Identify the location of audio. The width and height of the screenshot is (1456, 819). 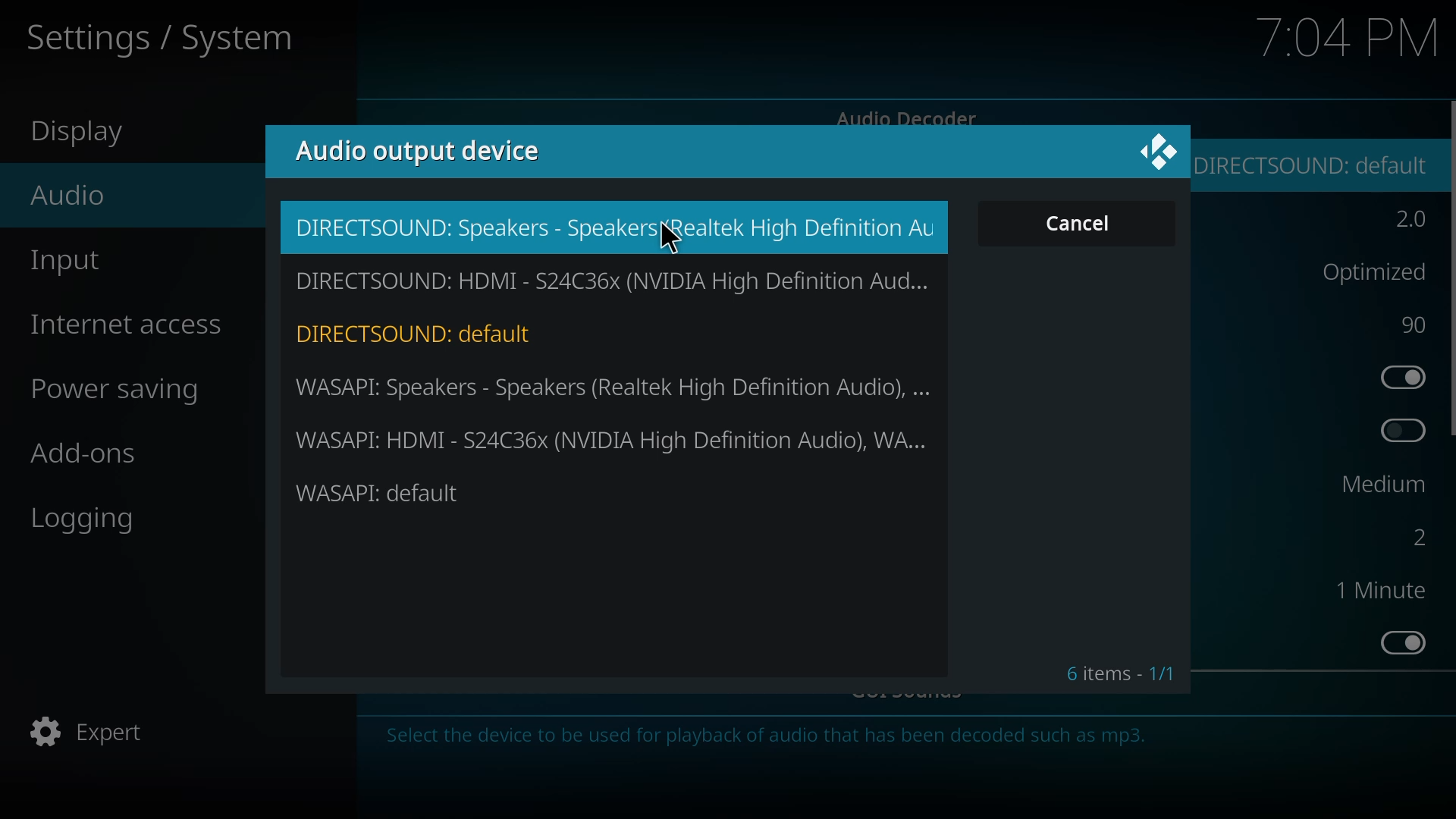
(70, 194).